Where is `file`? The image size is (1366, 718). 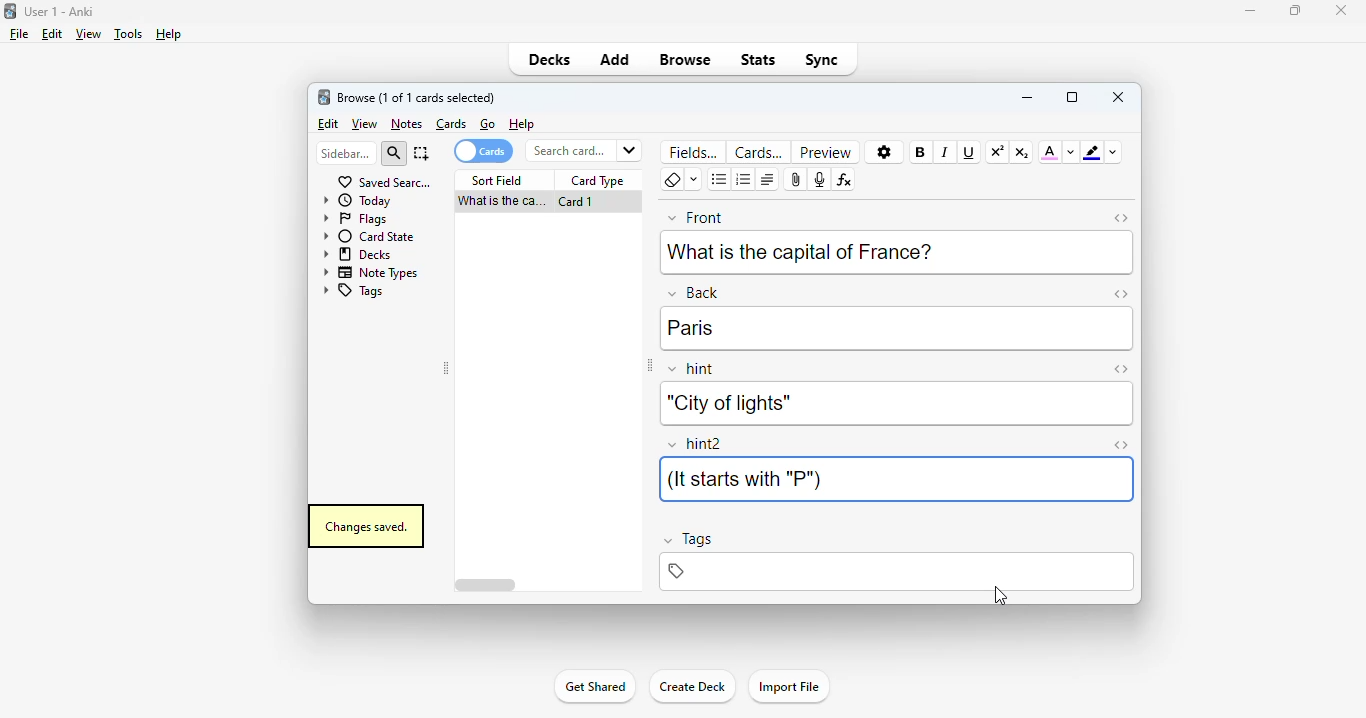 file is located at coordinates (19, 34).